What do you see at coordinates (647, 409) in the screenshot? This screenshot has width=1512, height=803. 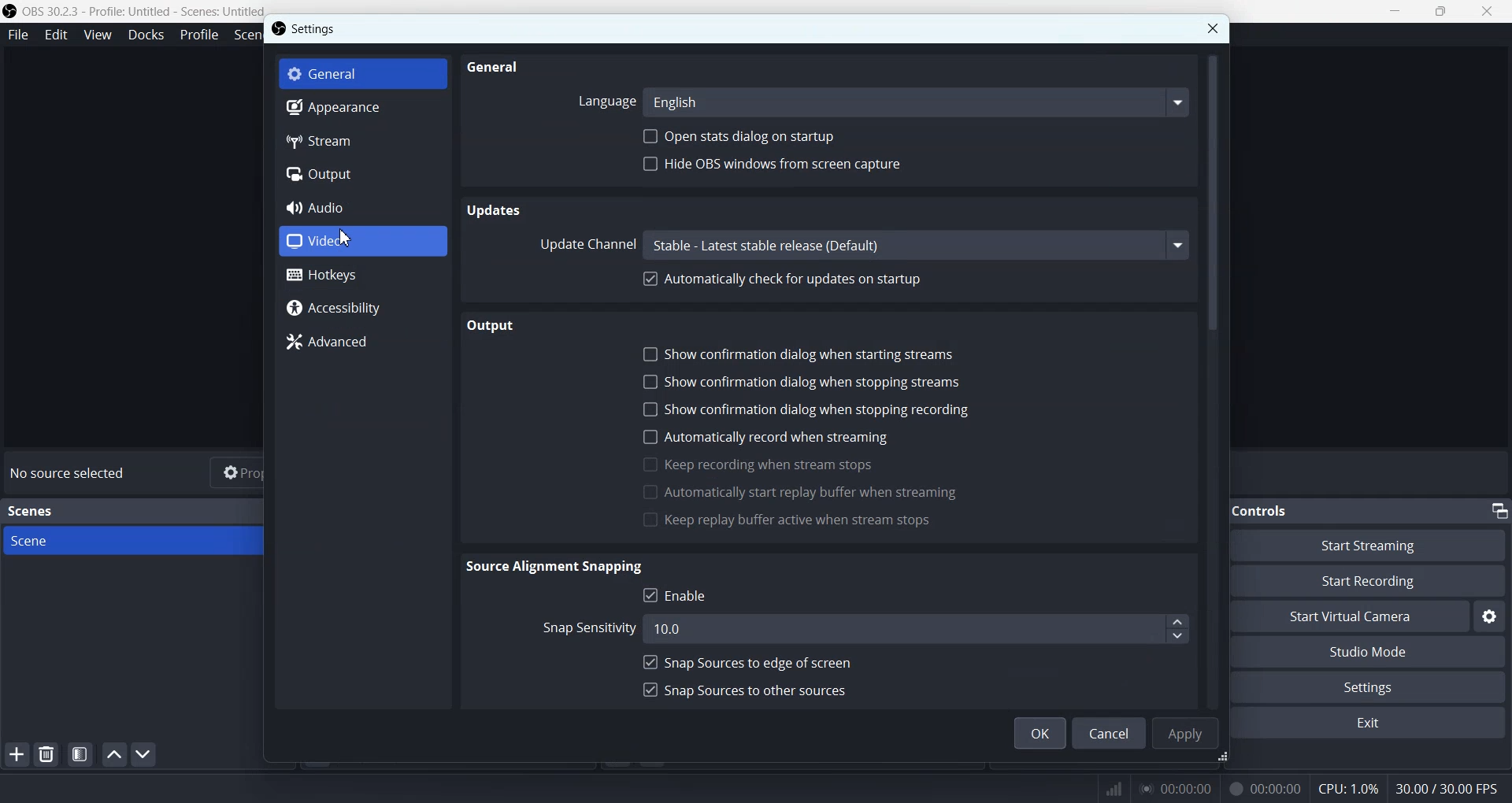 I see `checkbox` at bounding box center [647, 409].